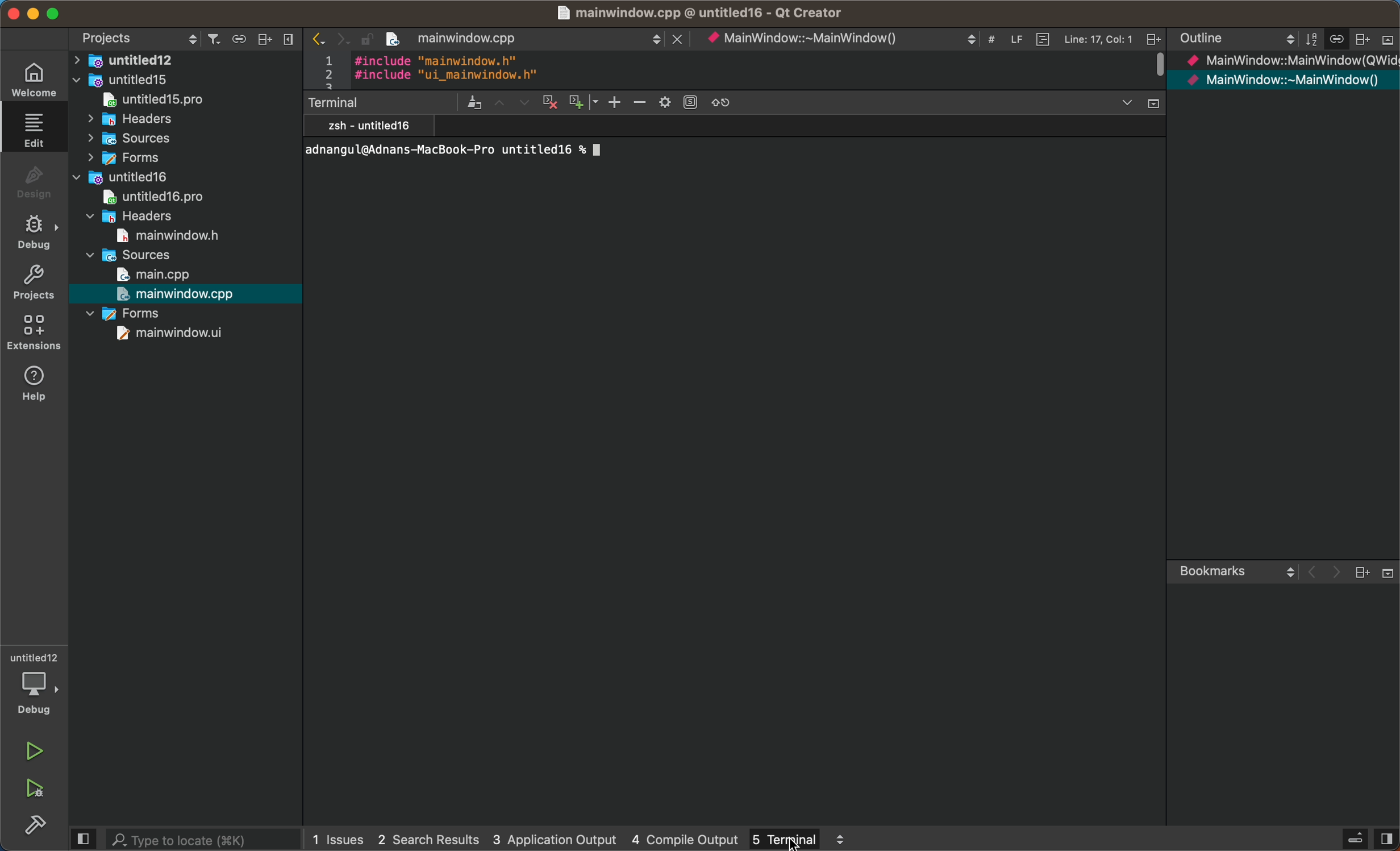 The image size is (1400, 851). What do you see at coordinates (370, 126) in the screenshot?
I see `terminal type` at bounding box center [370, 126].